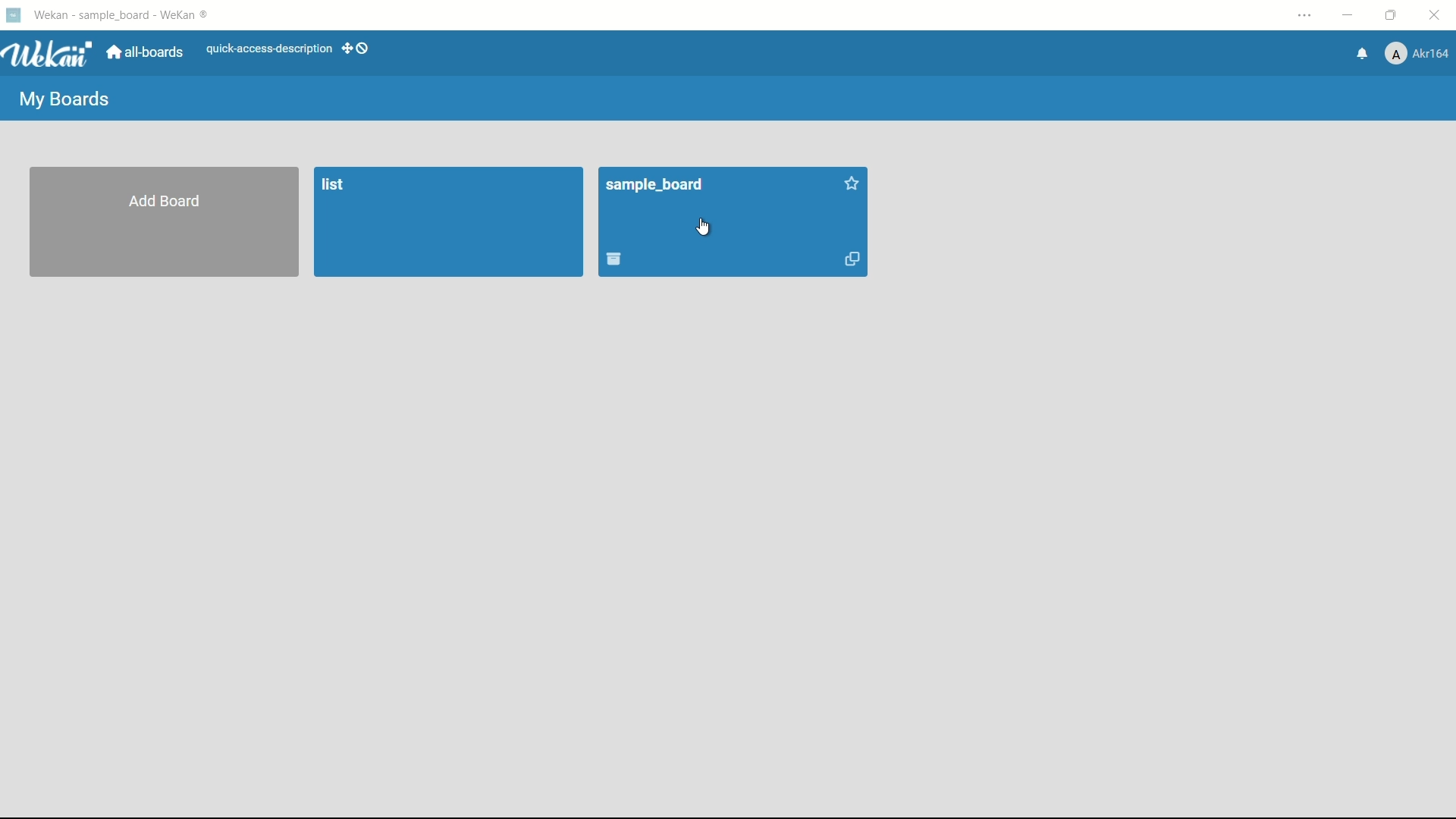 This screenshot has height=819, width=1456. I want to click on wekan - Sample_board - weaken, so click(148, 17).